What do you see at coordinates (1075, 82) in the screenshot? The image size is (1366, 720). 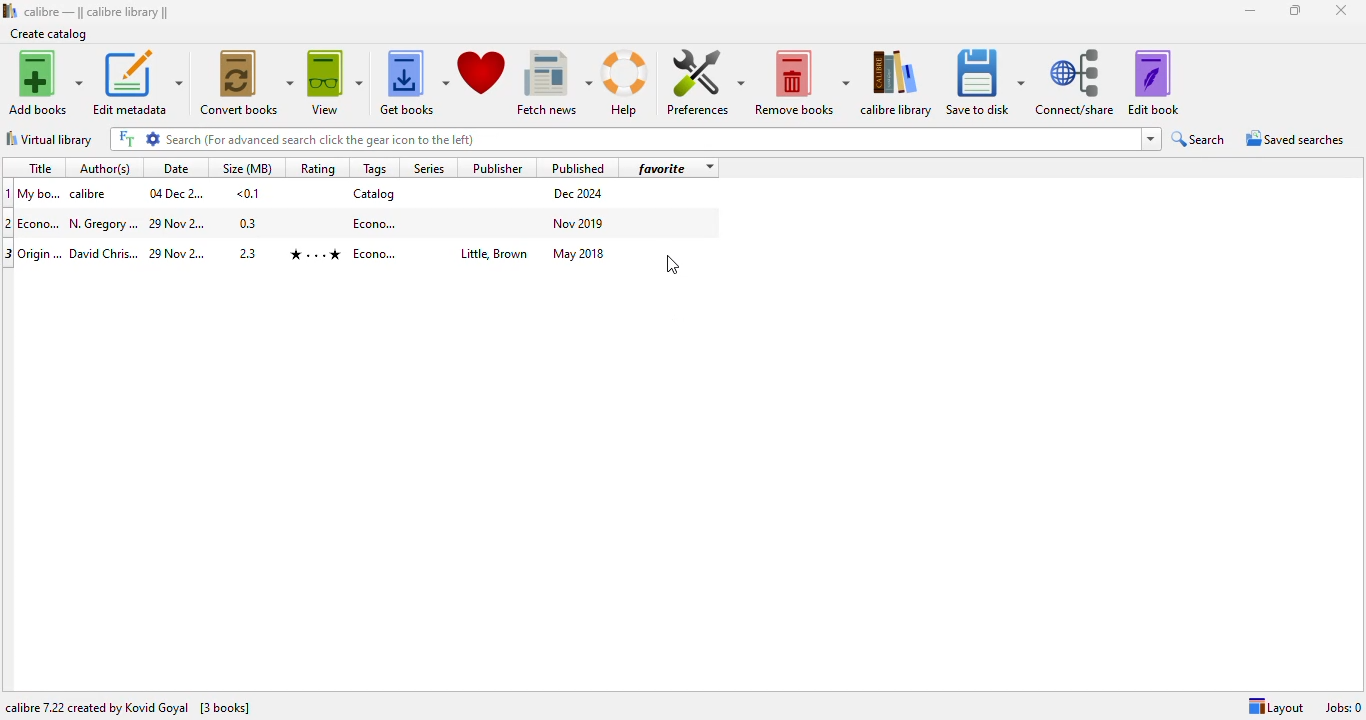 I see `connect/share` at bounding box center [1075, 82].